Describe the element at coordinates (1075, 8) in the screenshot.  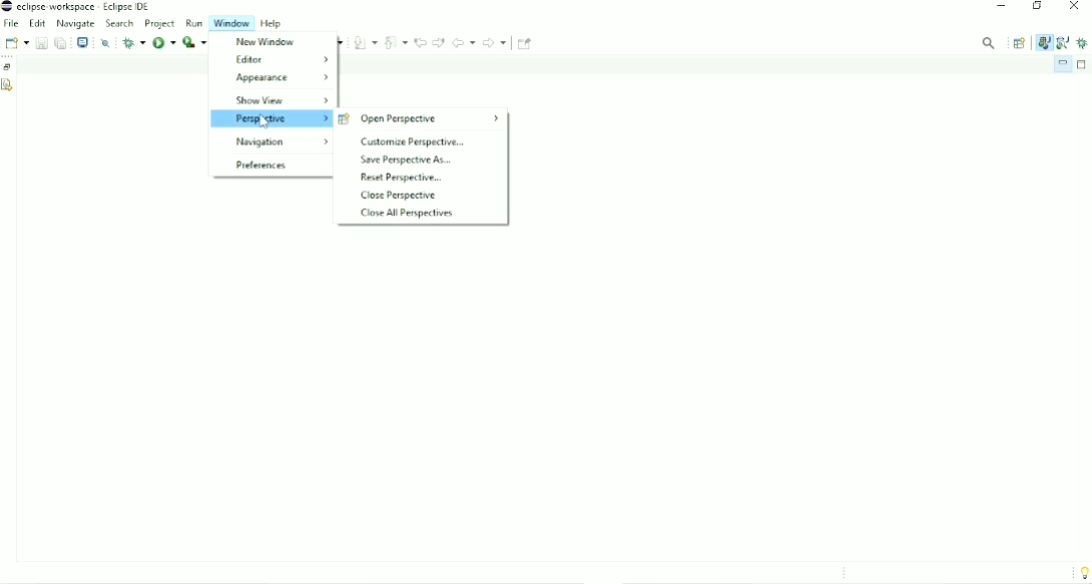
I see `Close` at that location.